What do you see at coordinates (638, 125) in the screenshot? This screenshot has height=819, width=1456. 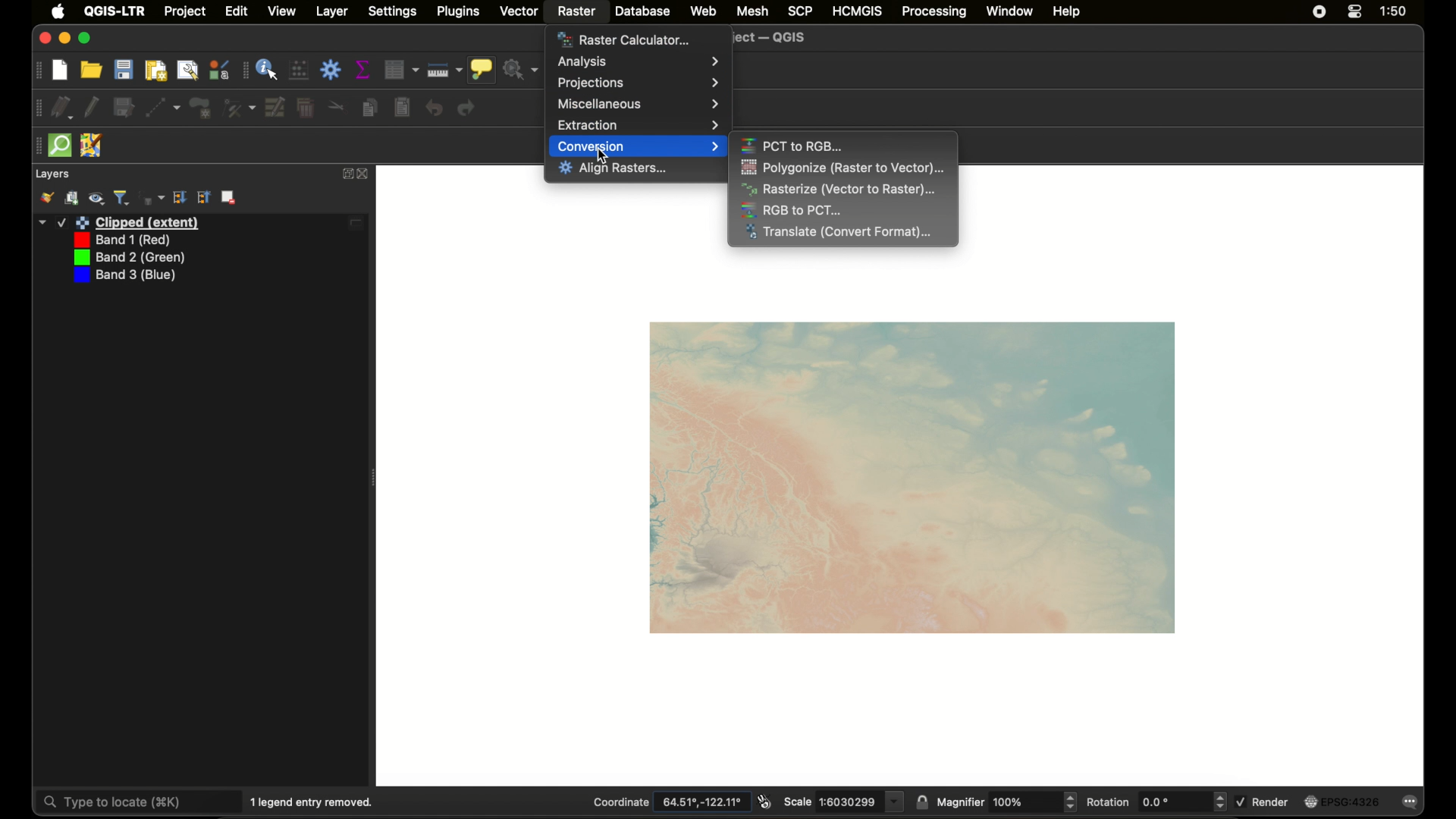 I see `extraction` at bounding box center [638, 125].